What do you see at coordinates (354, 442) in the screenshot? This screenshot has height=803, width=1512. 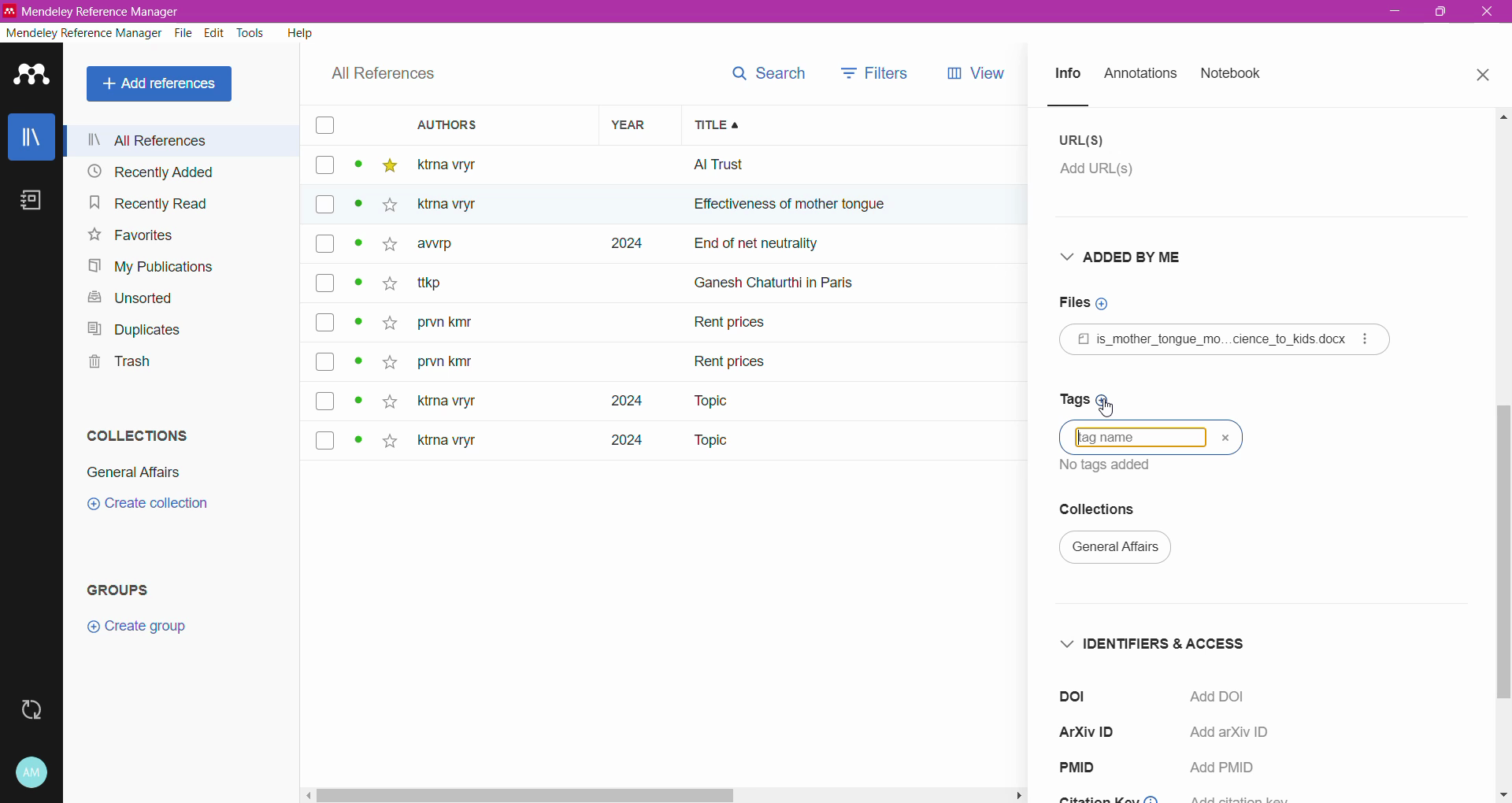 I see `dot ` at bounding box center [354, 442].